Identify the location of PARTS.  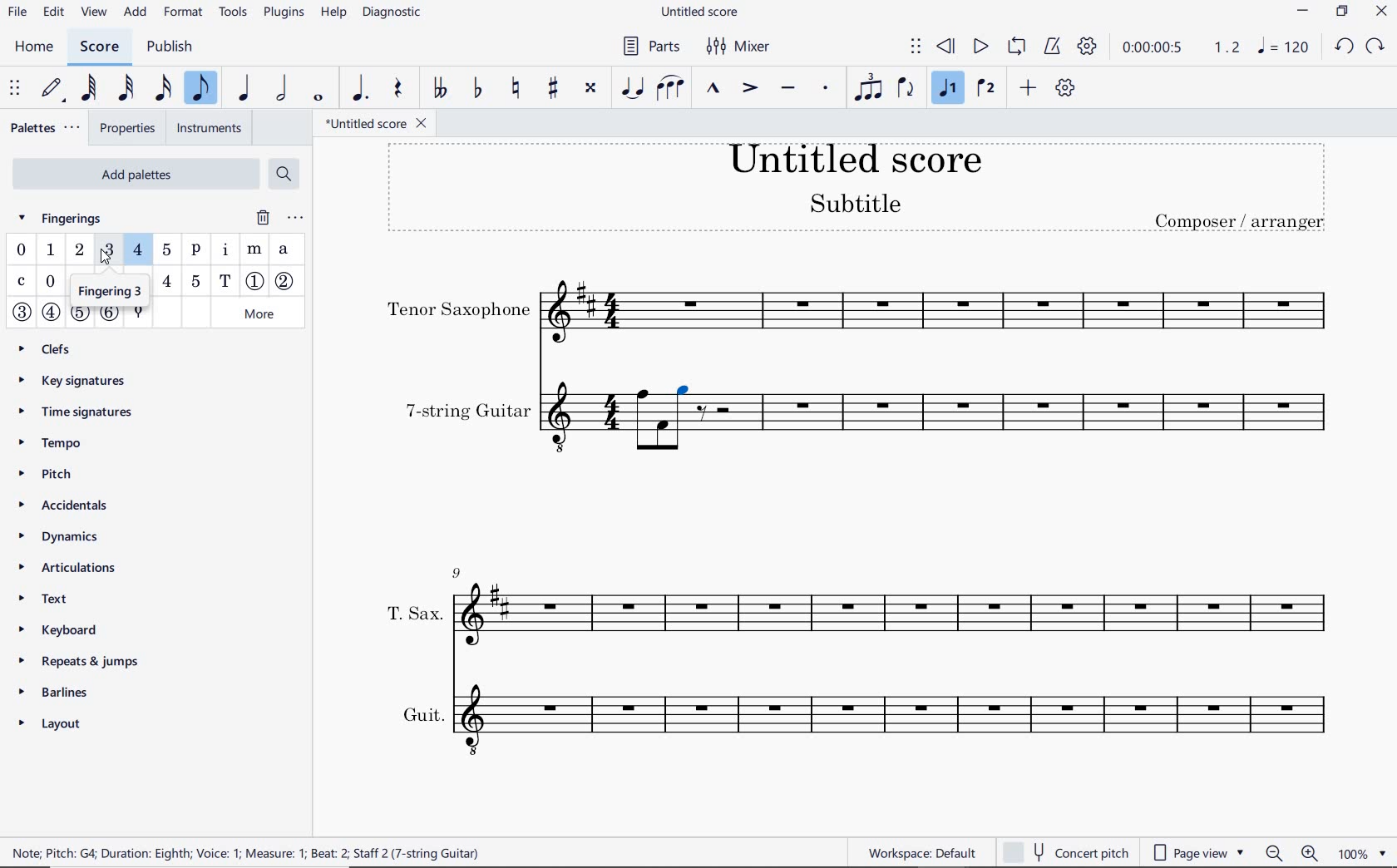
(650, 48).